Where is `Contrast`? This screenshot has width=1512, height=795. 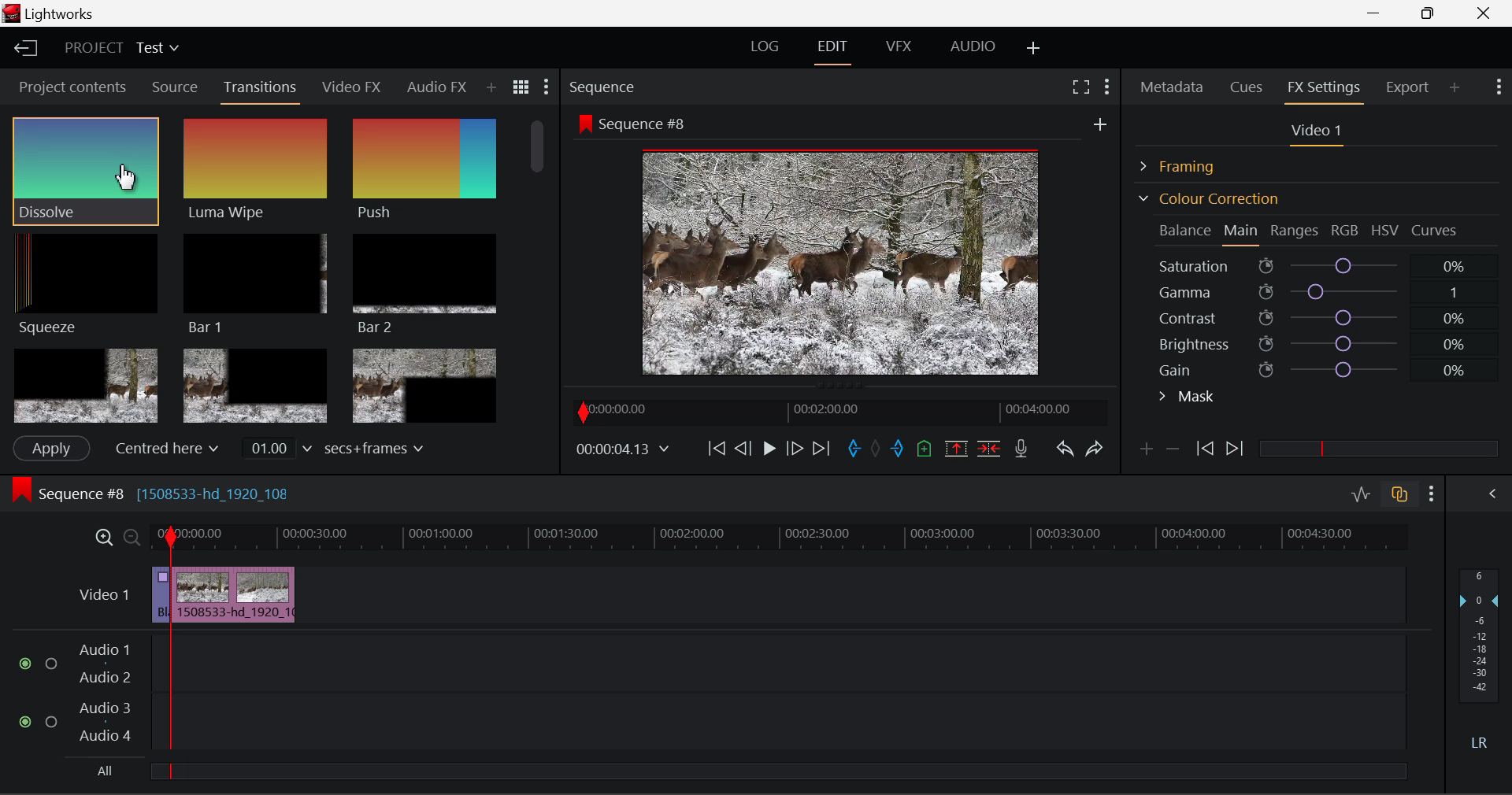
Contrast is located at coordinates (1318, 317).